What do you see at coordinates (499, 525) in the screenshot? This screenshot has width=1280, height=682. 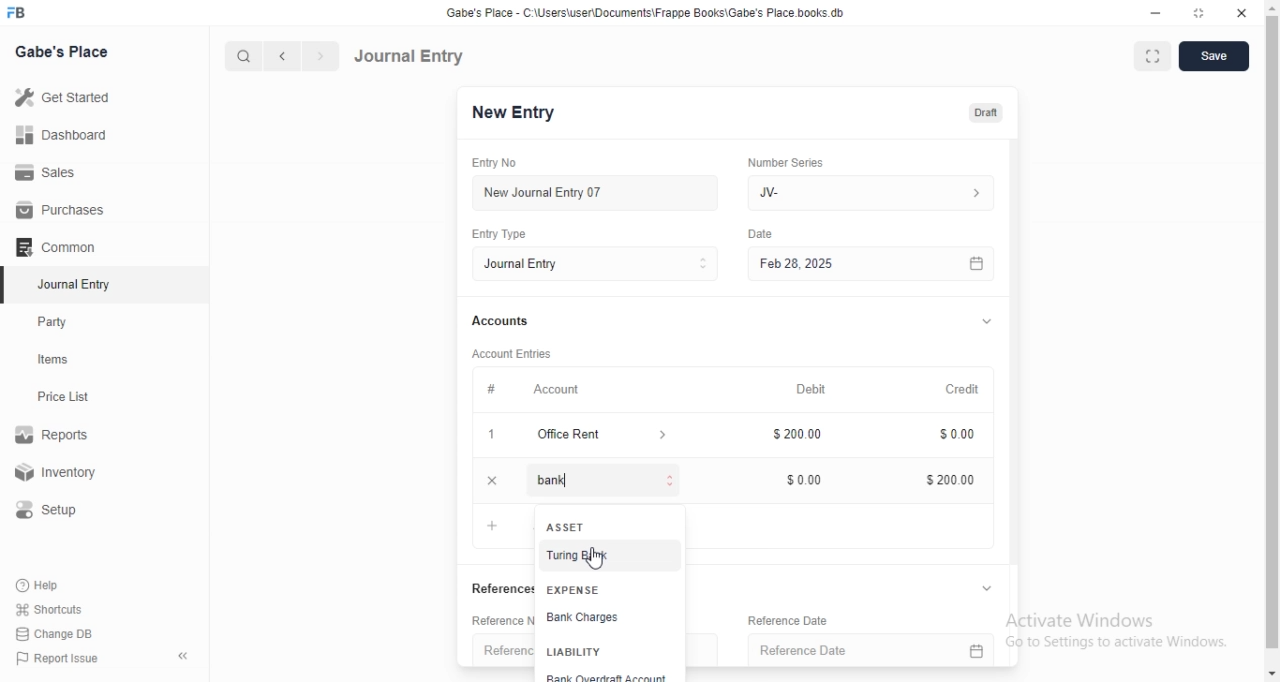 I see `+ Add row` at bounding box center [499, 525].